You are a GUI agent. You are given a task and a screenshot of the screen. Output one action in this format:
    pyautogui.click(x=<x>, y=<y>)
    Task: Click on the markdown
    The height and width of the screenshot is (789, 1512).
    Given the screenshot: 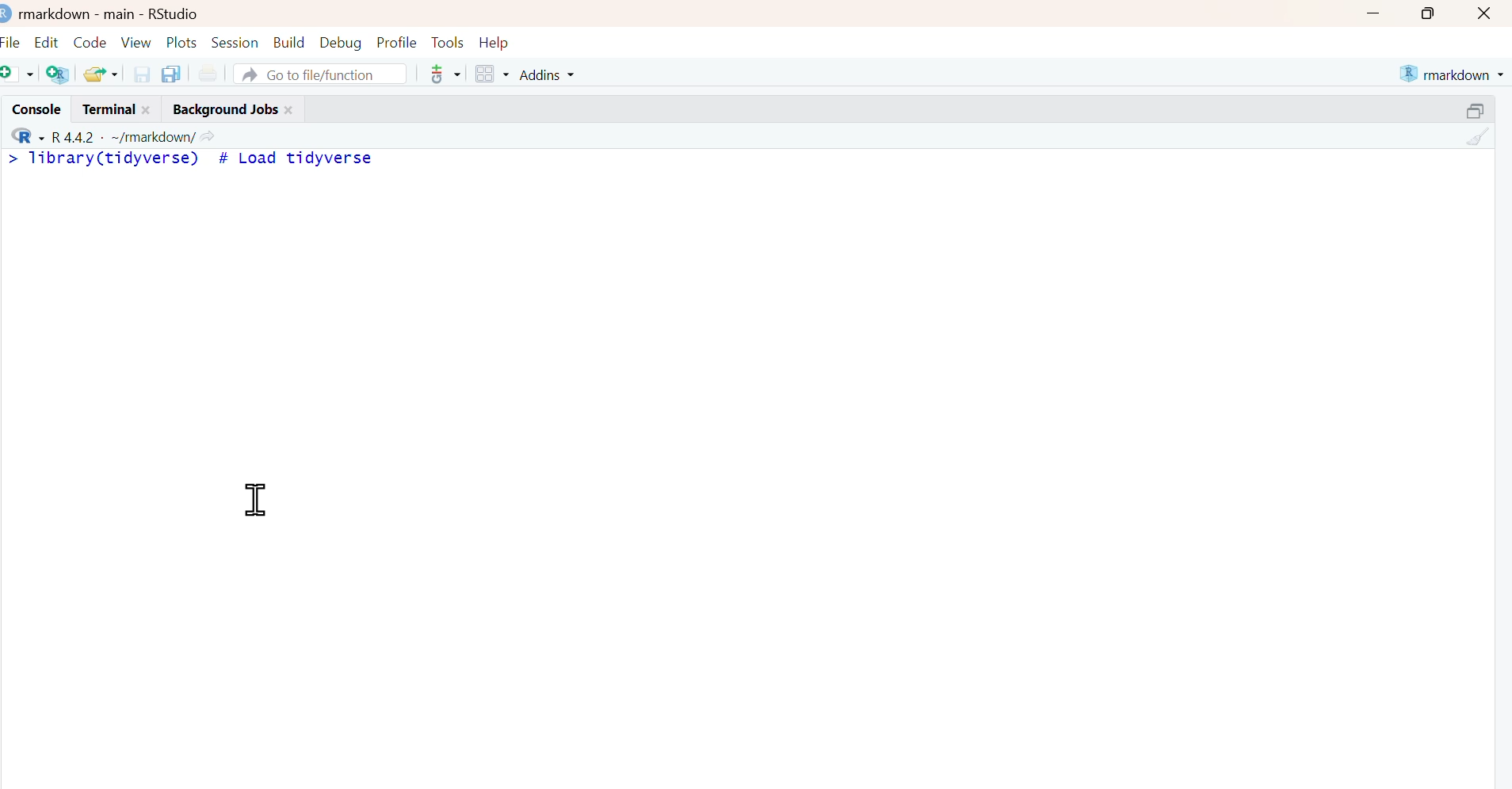 What is the action you would take?
    pyautogui.click(x=1454, y=72)
    